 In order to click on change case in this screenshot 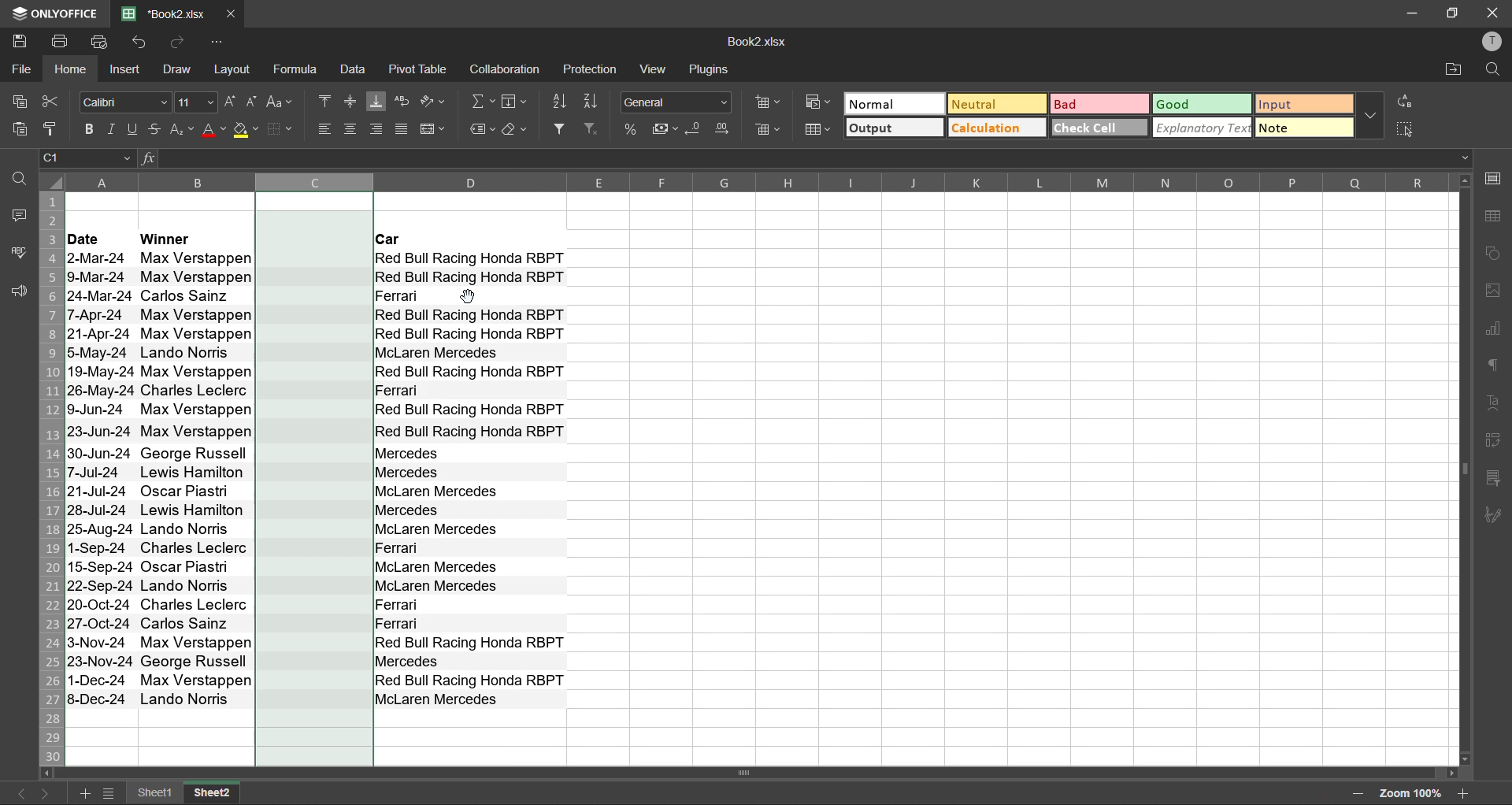, I will do `click(283, 103)`.